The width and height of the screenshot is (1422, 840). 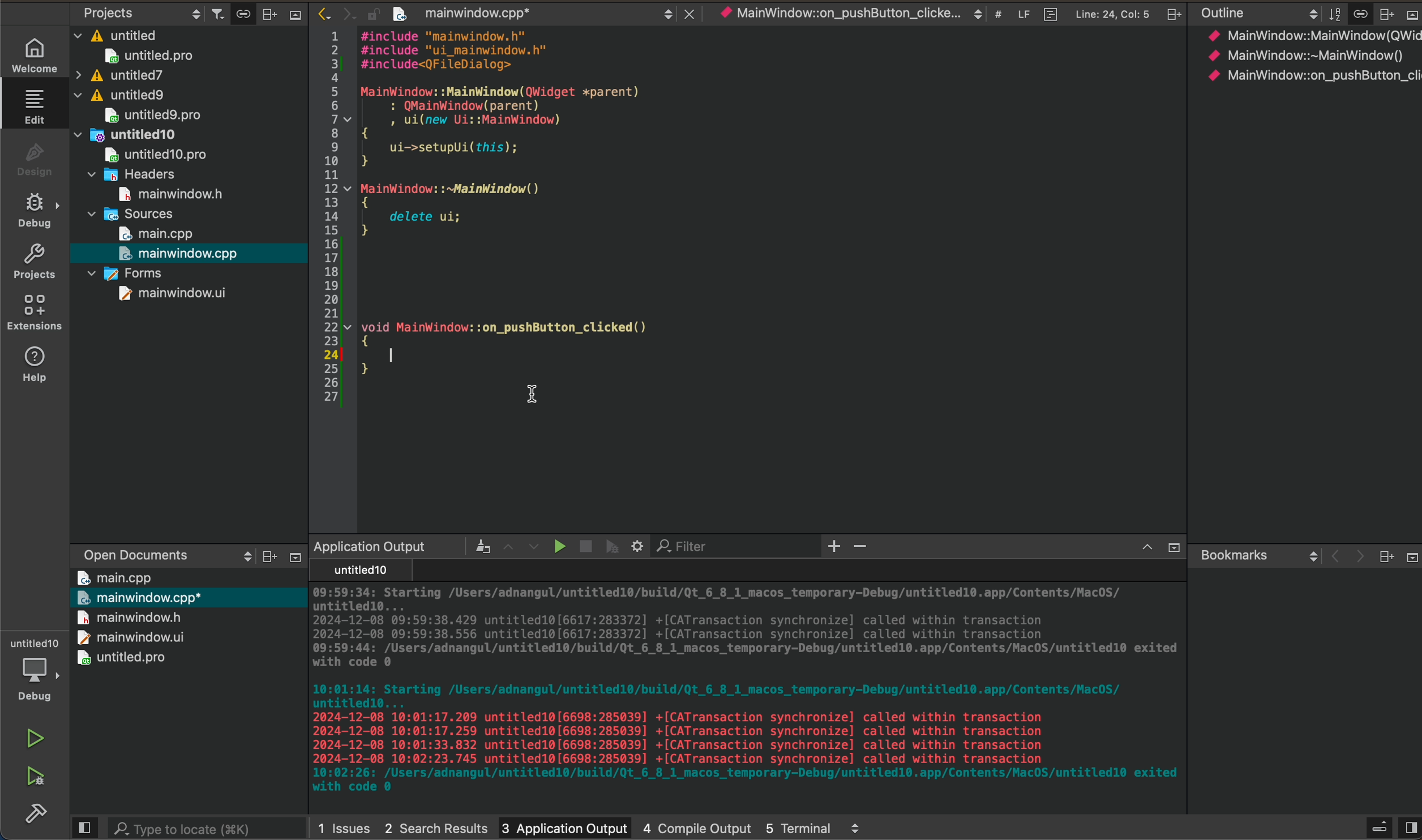 I want to click on main.cpp, so click(x=157, y=234).